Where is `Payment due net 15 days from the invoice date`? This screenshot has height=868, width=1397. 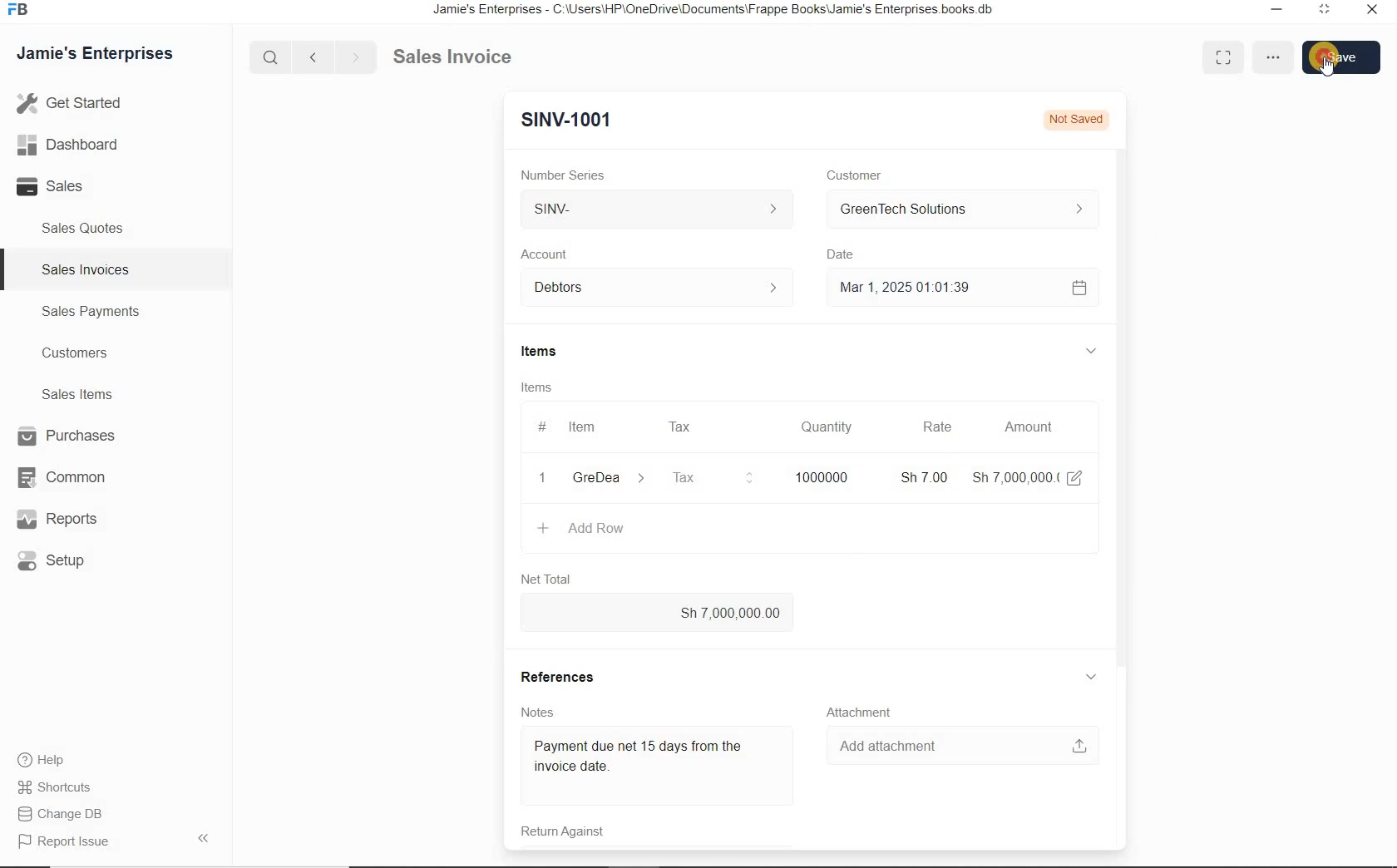 Payment due net 15 days from the invoice date is located at coordinates (653, 760).